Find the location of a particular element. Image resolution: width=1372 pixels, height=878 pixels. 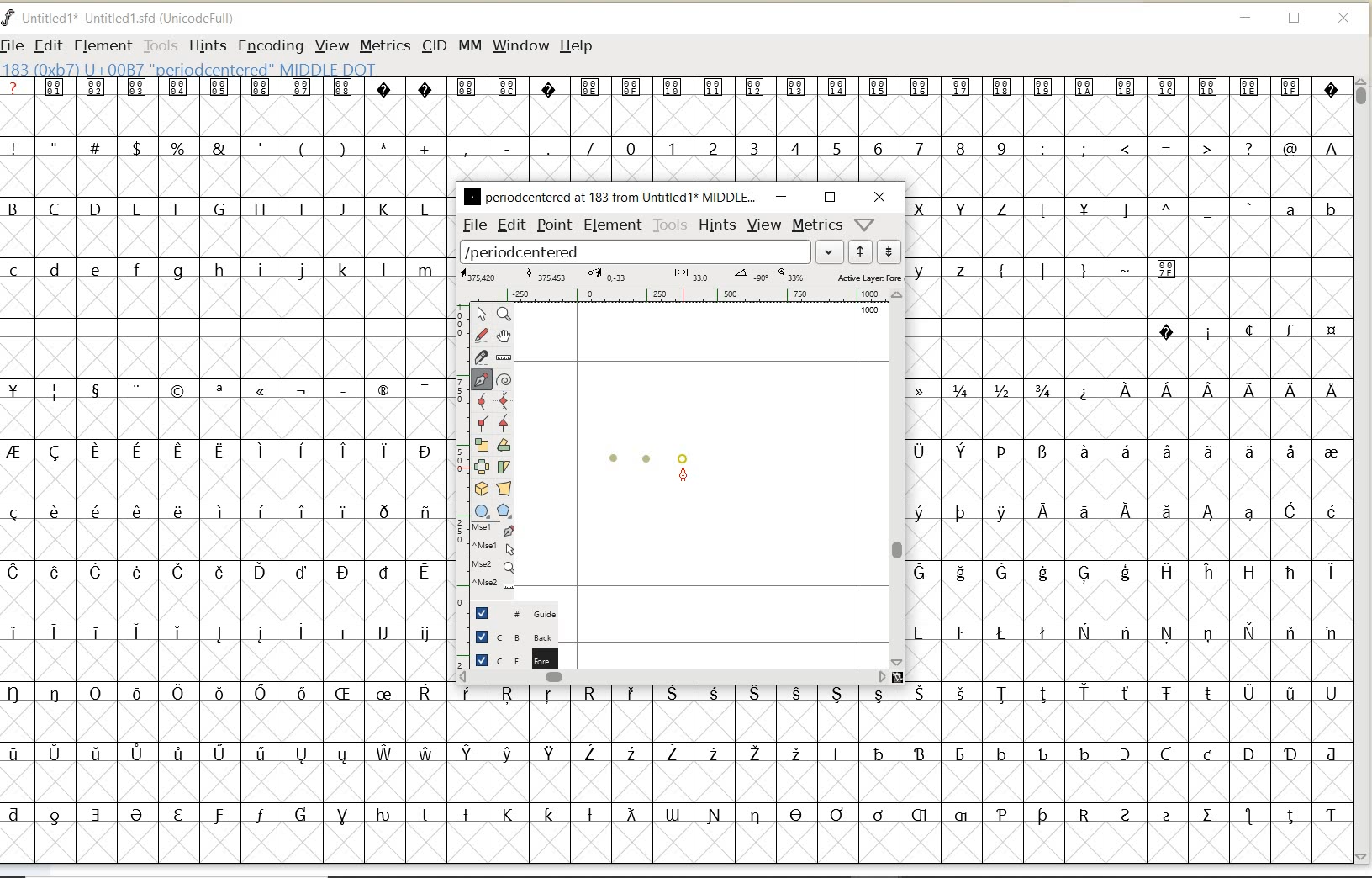

close is located at coordinates (879, 197).